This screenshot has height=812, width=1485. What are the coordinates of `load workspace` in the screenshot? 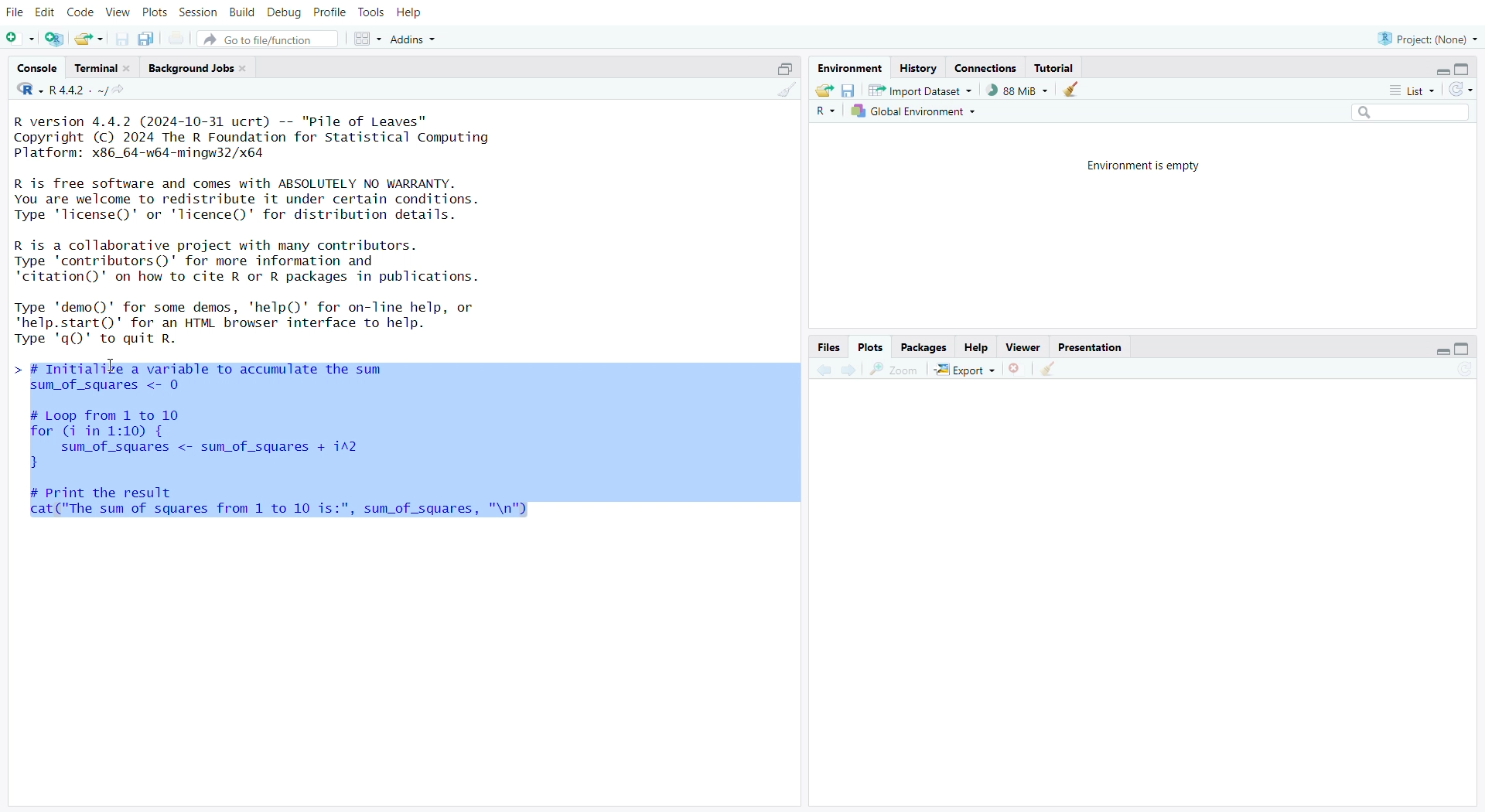 It's located at (824, 91).